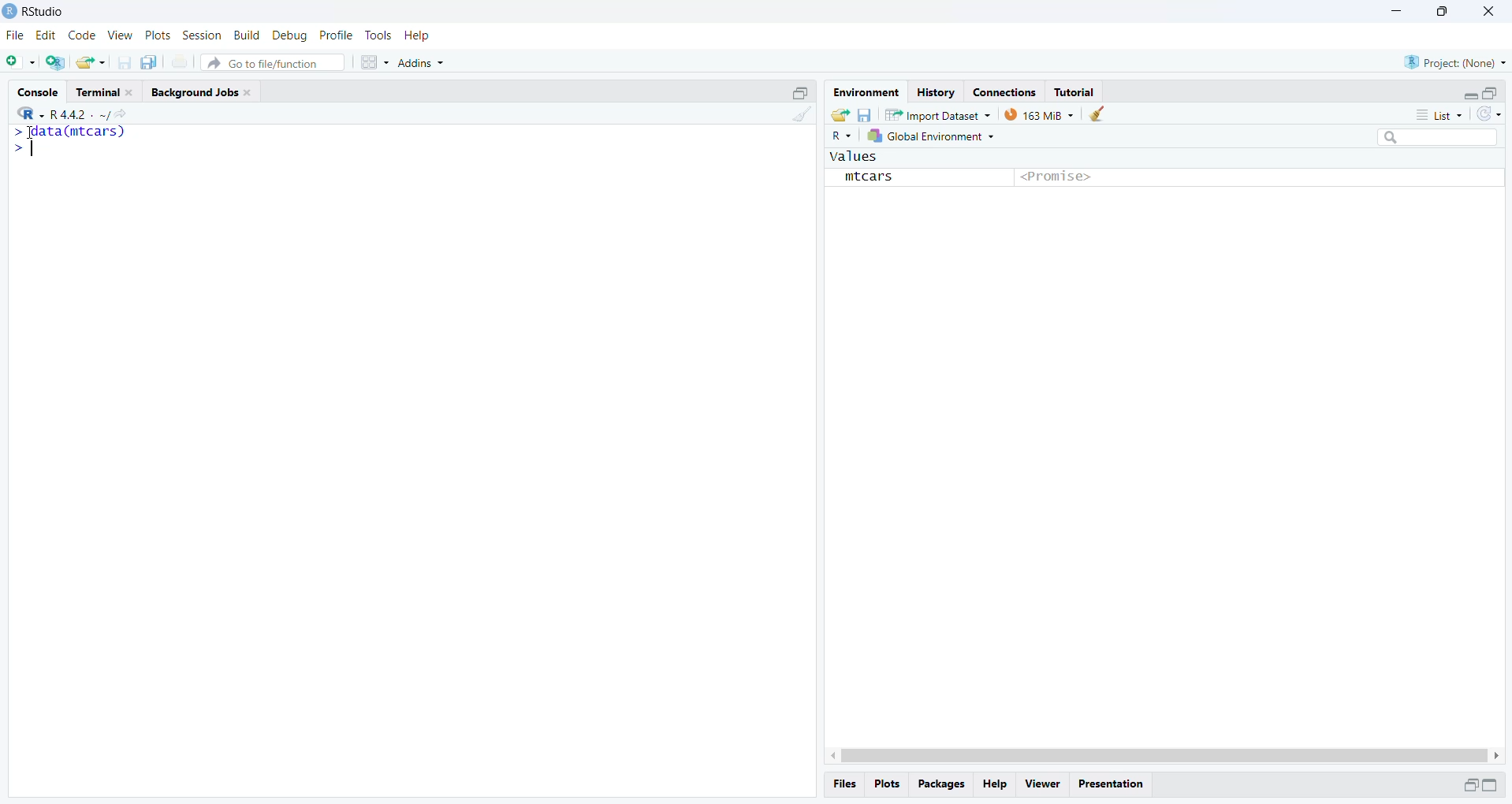 Image resolution: width=1512 pixels, height=804 pixels. What do you see at coordinates (159, 35) in the screenshot?
I see `plots` at bounding box center [159, 35].